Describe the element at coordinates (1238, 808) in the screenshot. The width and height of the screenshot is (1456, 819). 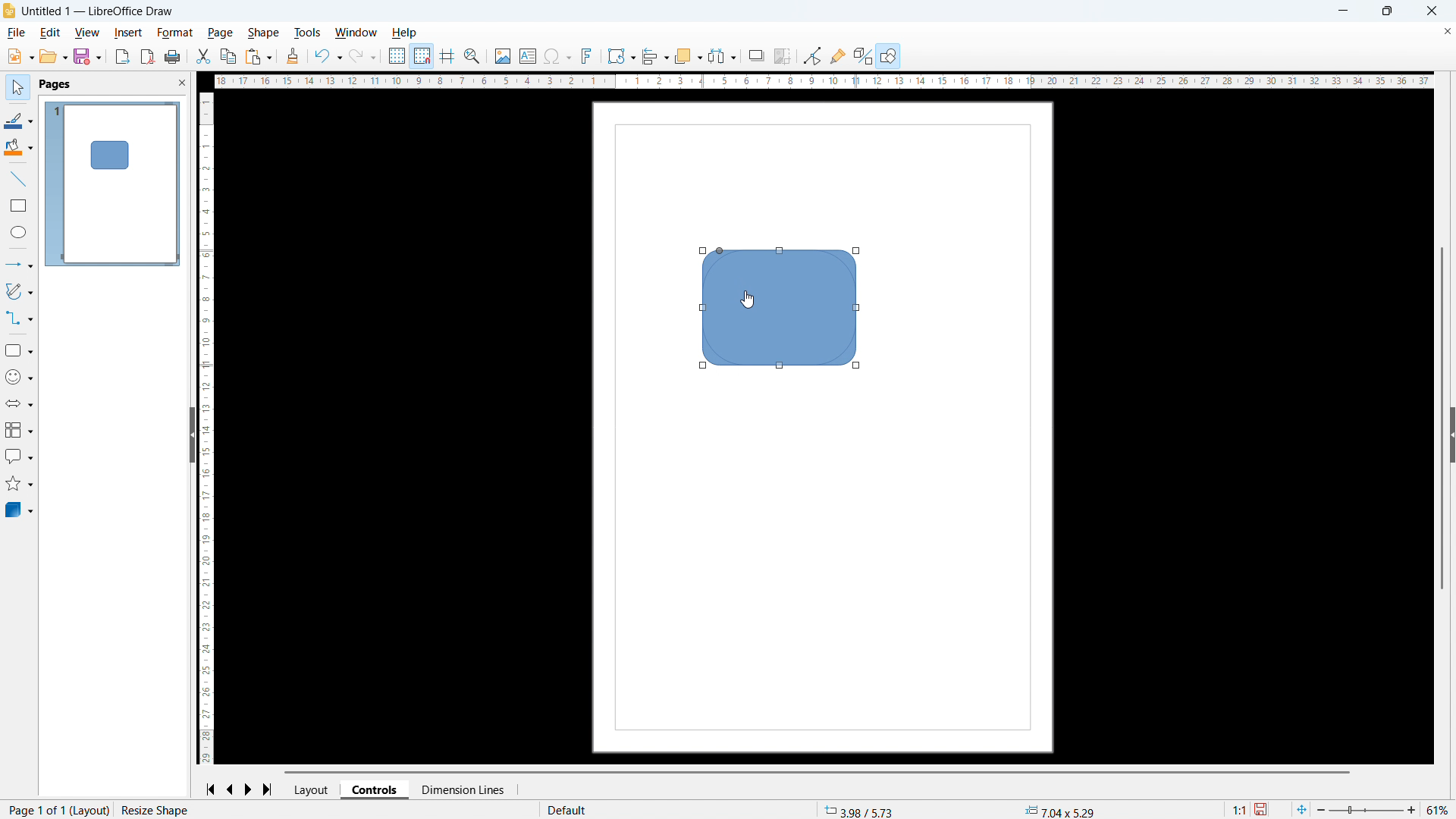
I see `1:1` at that location.